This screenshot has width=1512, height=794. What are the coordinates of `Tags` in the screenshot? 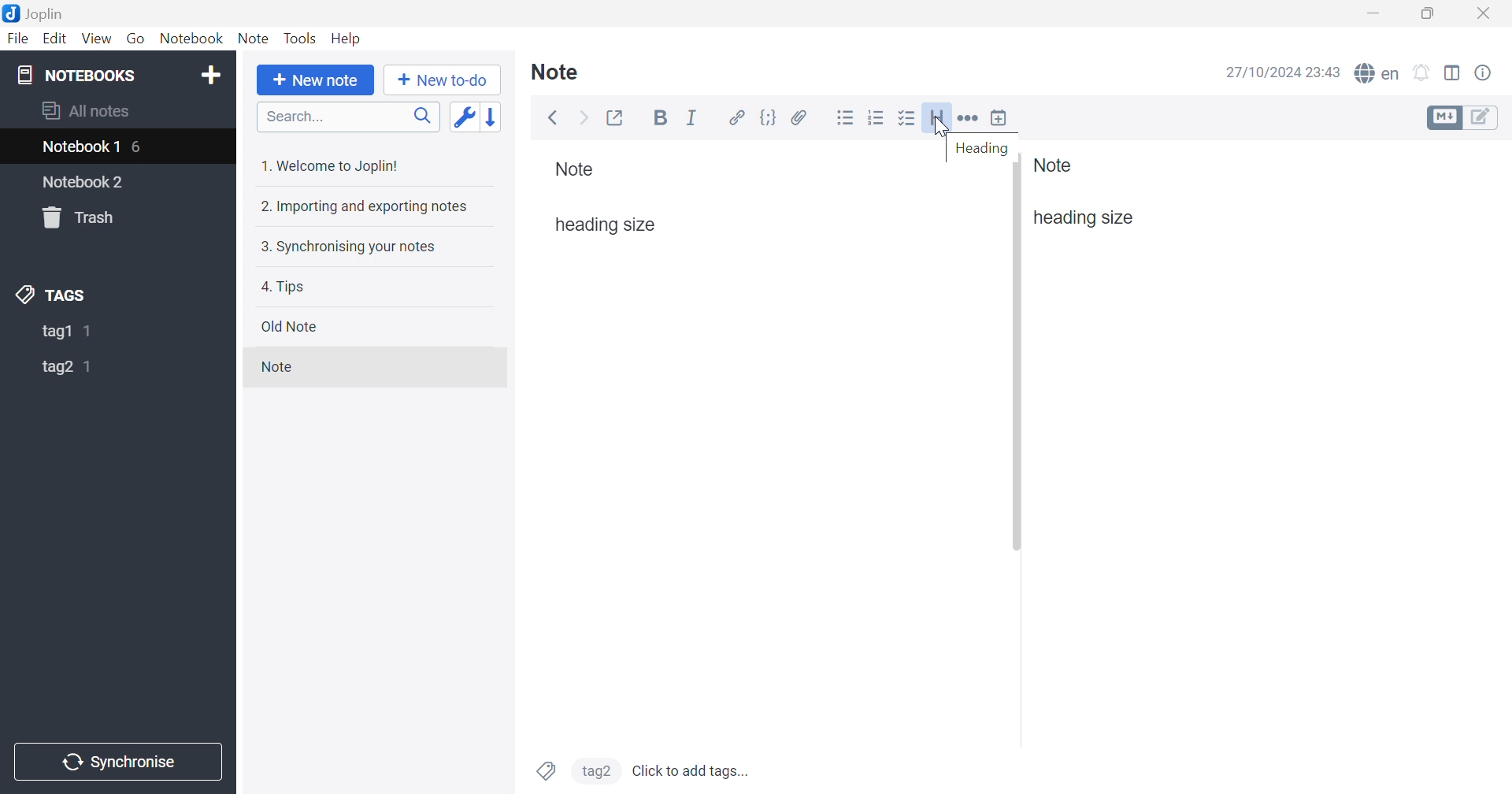 It's located at (545, 771).